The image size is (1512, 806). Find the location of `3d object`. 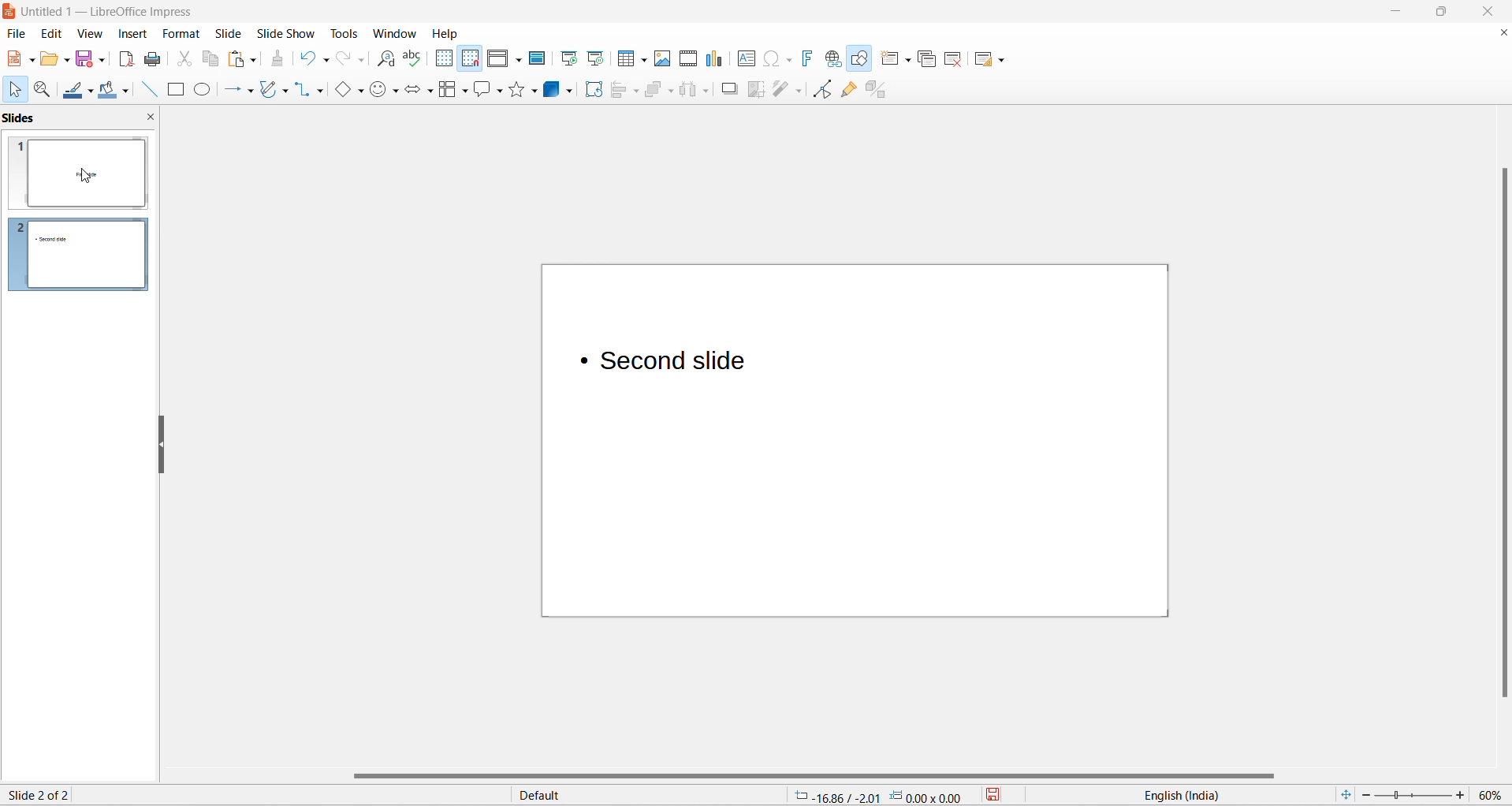

3d object is located at coordinates (550, 93).